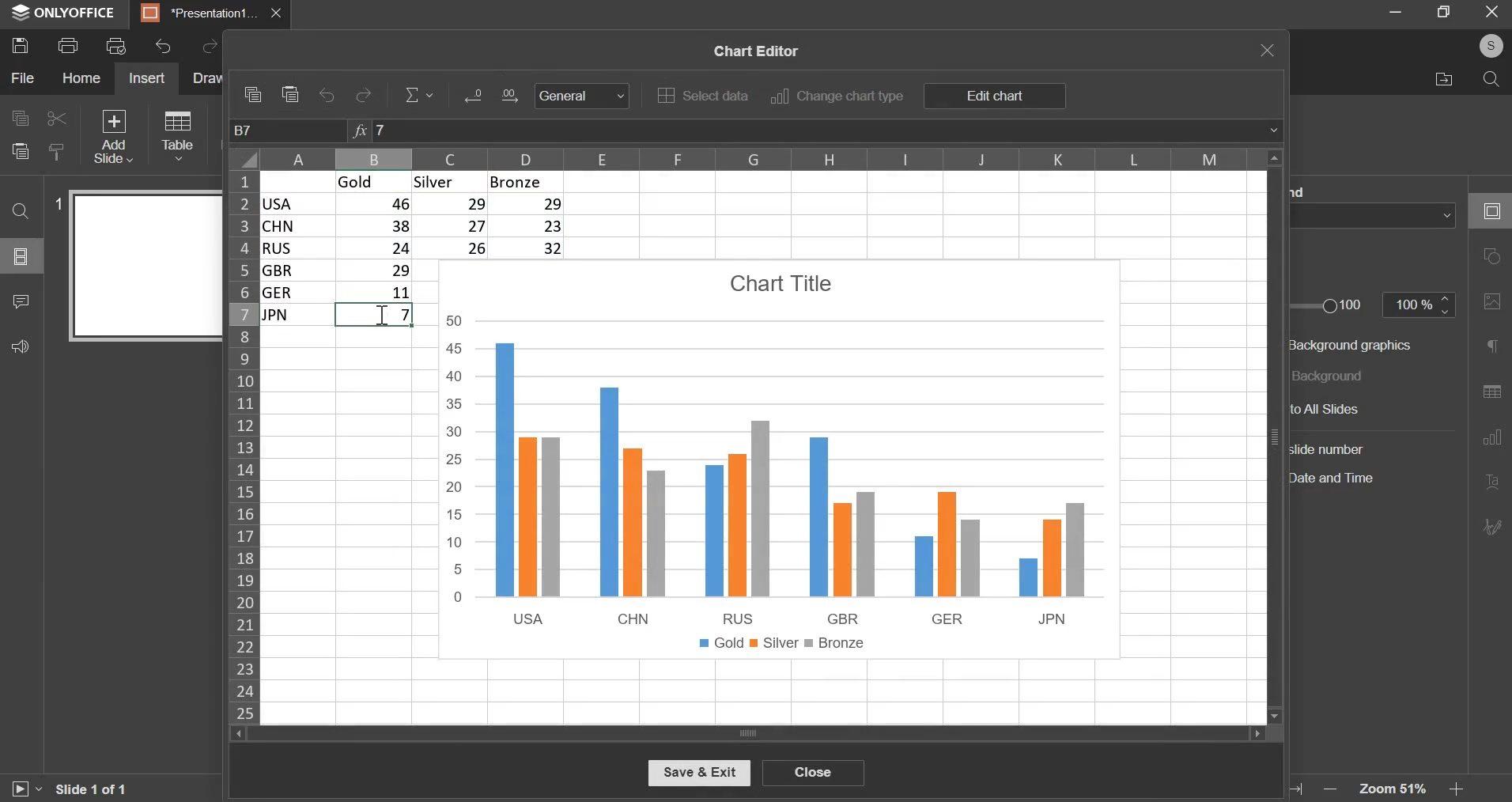  What do you see at coordinates (993, 96) in the screenshot?
I see `edit chart` at bounding box center [993, 96].